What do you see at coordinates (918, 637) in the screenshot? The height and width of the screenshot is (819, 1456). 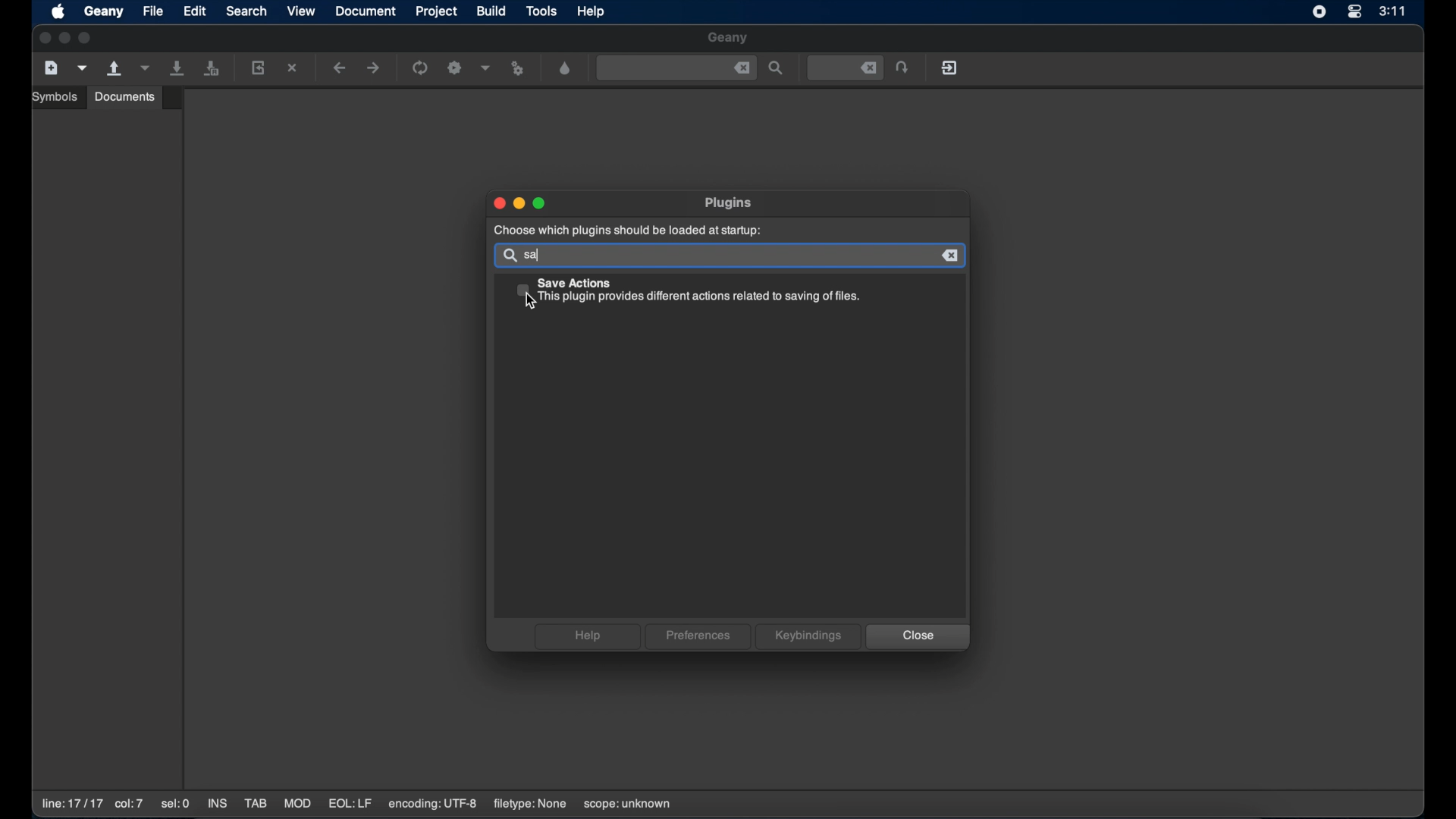 I see `close` at bounding box center [918, 637].